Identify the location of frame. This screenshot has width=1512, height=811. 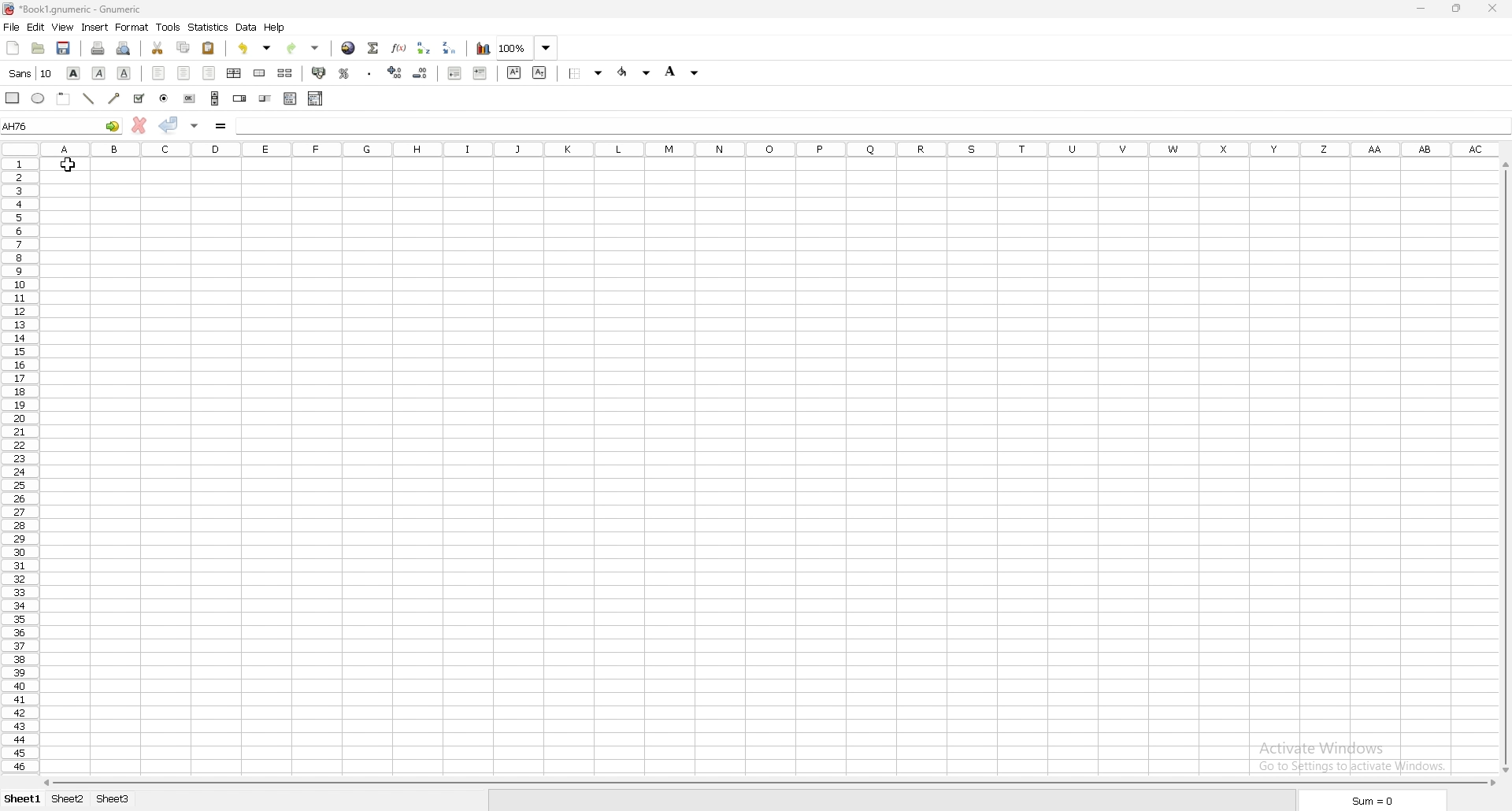
(64, 98).